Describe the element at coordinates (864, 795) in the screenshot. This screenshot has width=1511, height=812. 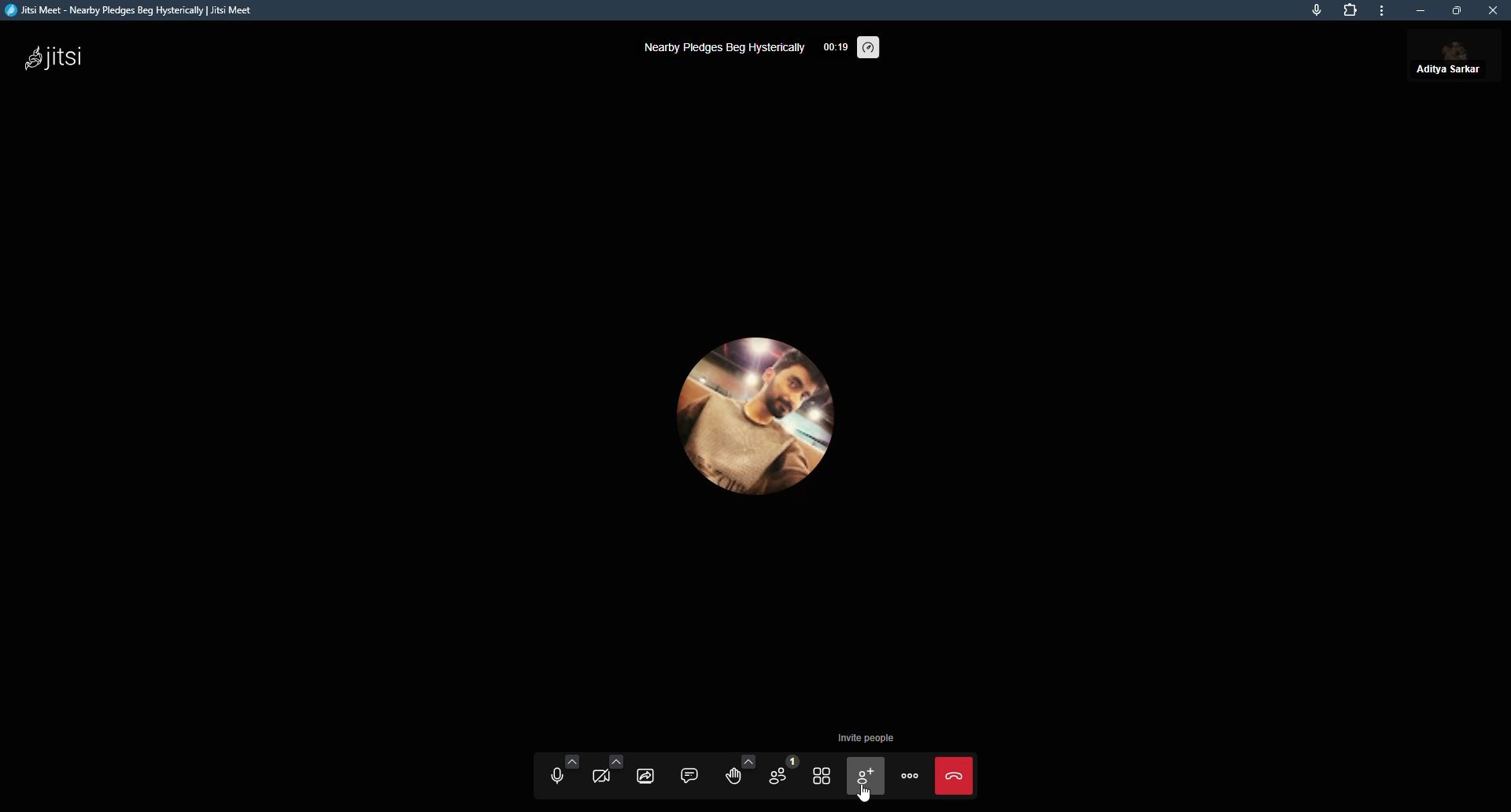
I see `cursor` at that location.